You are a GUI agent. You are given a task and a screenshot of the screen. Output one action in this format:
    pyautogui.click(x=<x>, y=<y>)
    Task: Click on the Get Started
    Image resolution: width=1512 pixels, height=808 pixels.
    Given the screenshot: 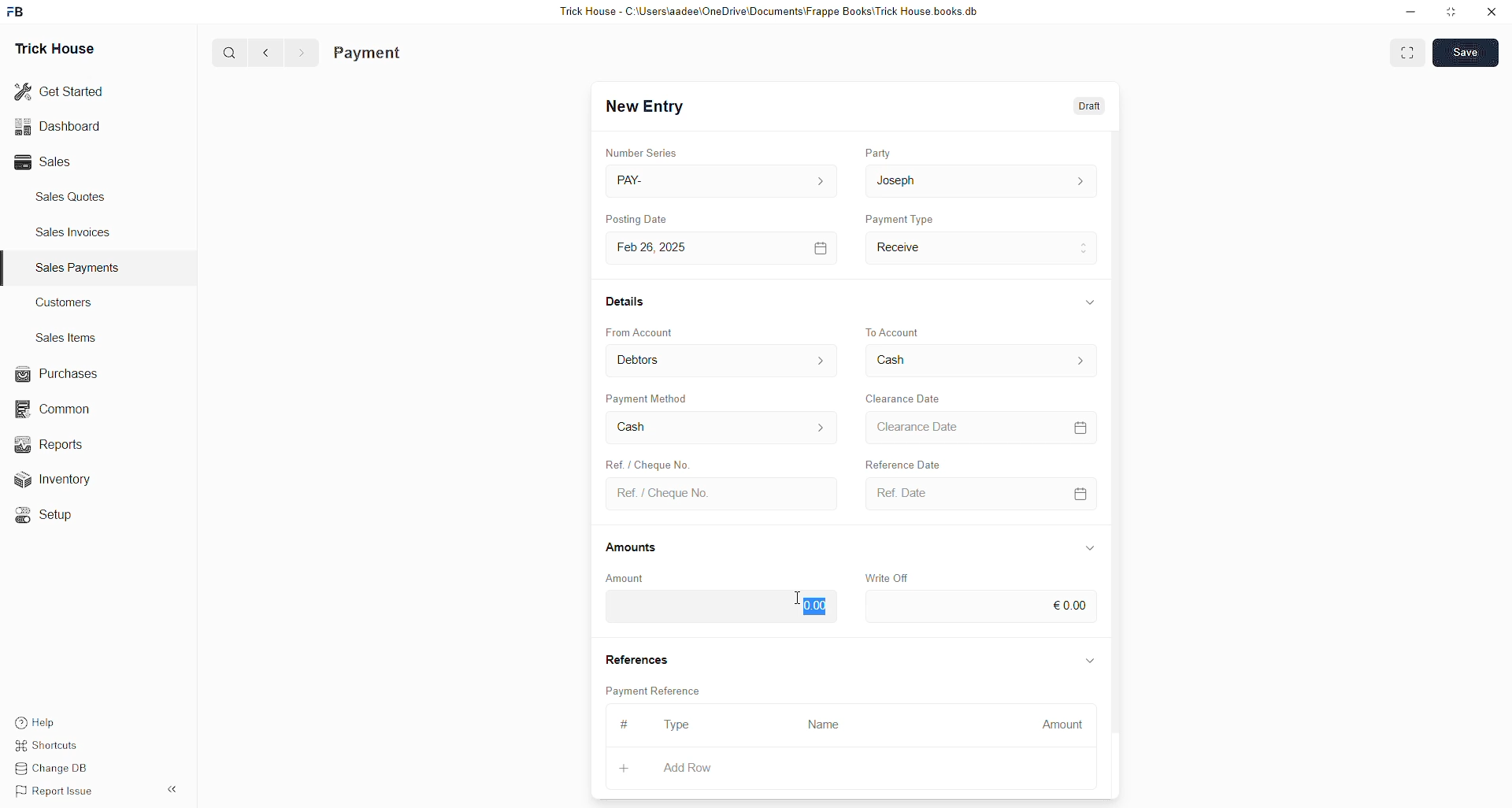 What is the action you would take?
    pyautogui.click(x=60, y=92)
    